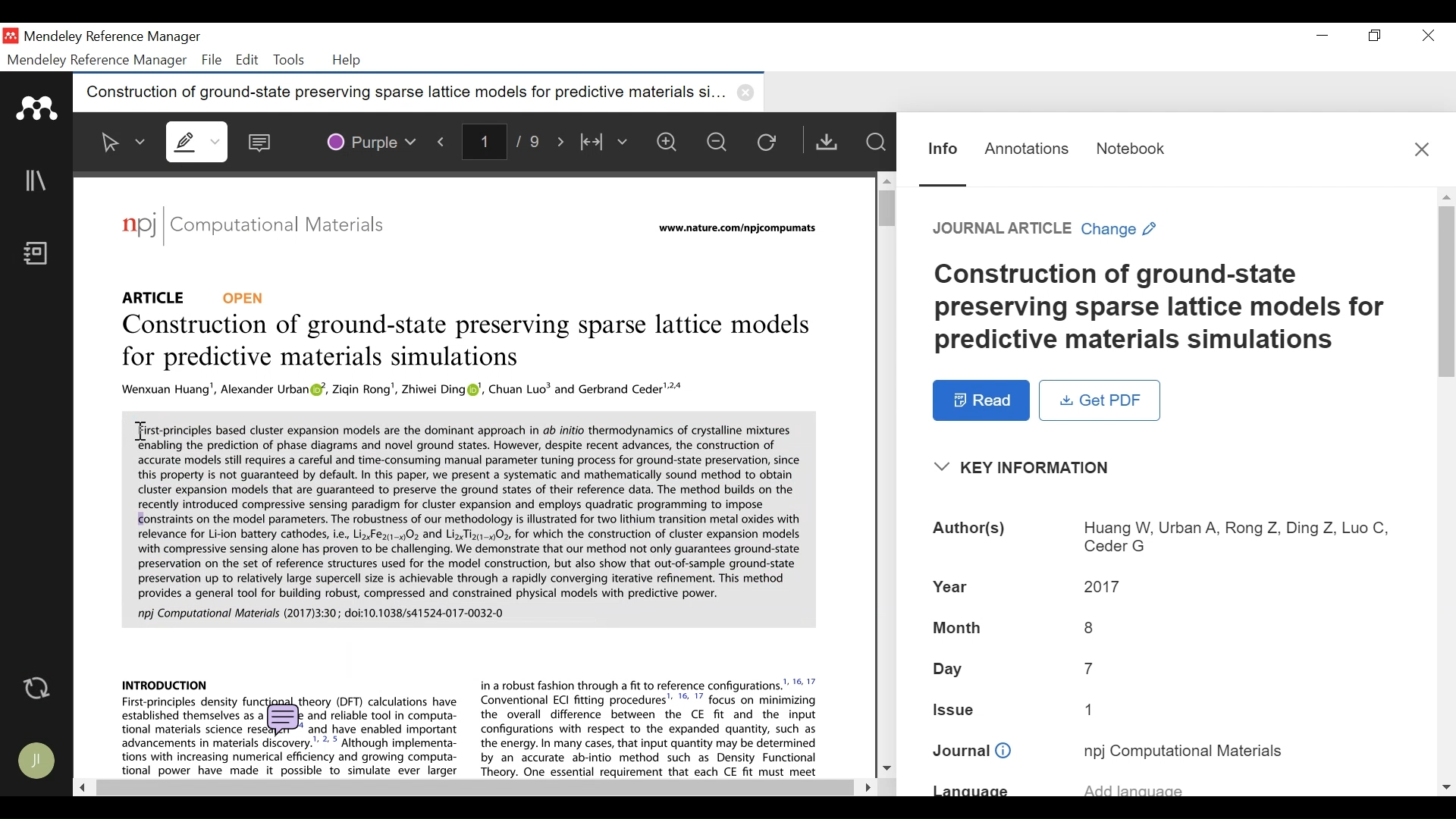 The height and width of the screenshot is (819, 1456). What do you see at coordinates (1425, 36) in the screenshot?
I see `Close` at bounding box center [1425, 36].